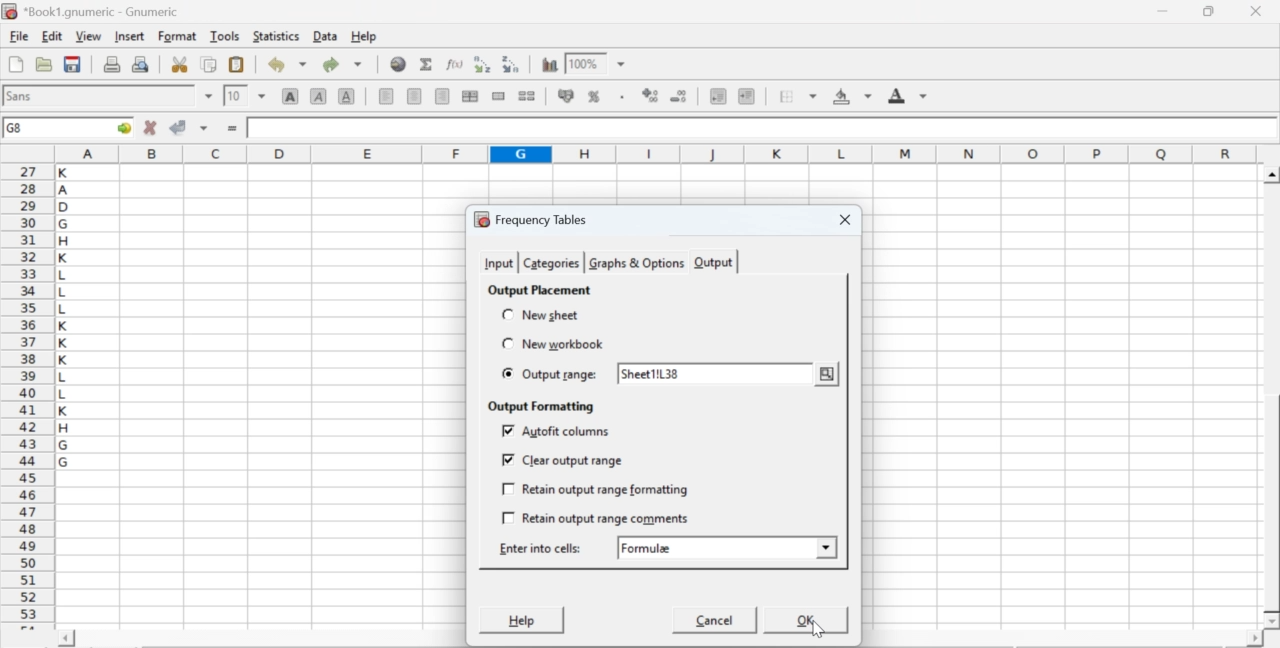  What do you see at coordinates (512, 62) in the screenshot?
I see `Sort the selected region in descending order based on the first column selected` at bounding box center [512, 62].